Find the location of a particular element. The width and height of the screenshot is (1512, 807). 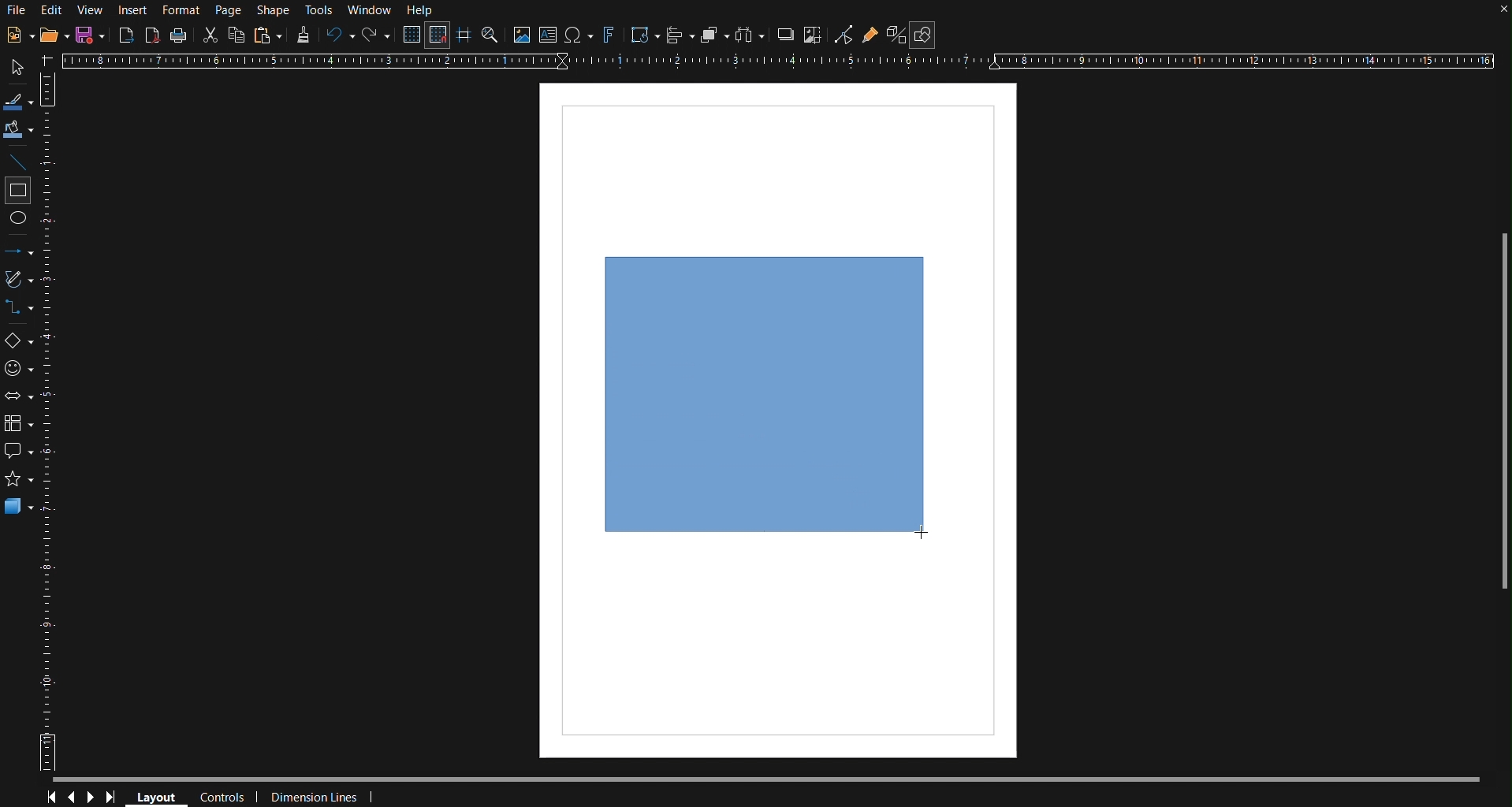

Window is located at coordinates (370, 10).